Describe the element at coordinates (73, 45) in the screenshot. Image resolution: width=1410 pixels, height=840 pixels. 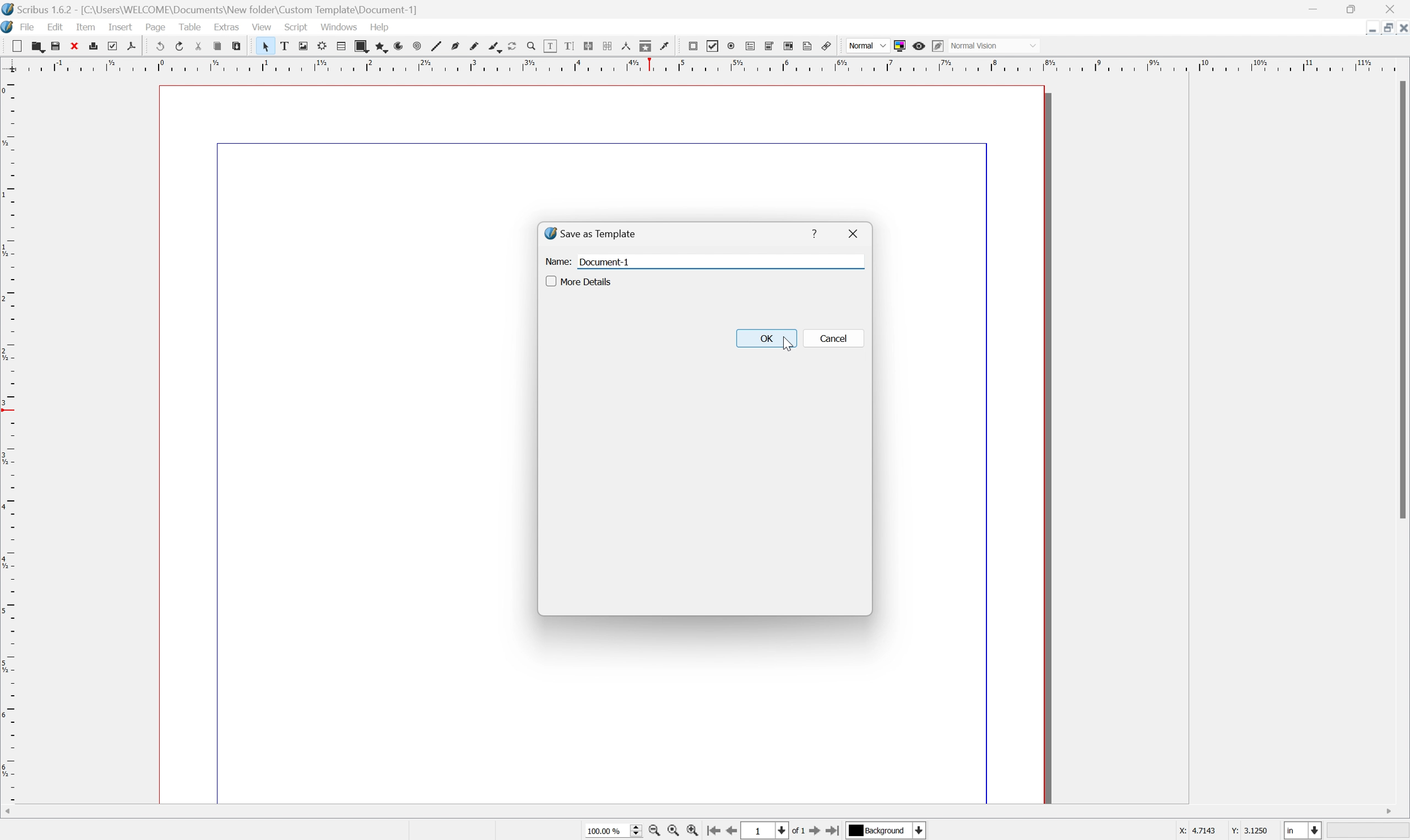
I see `close` at that location.